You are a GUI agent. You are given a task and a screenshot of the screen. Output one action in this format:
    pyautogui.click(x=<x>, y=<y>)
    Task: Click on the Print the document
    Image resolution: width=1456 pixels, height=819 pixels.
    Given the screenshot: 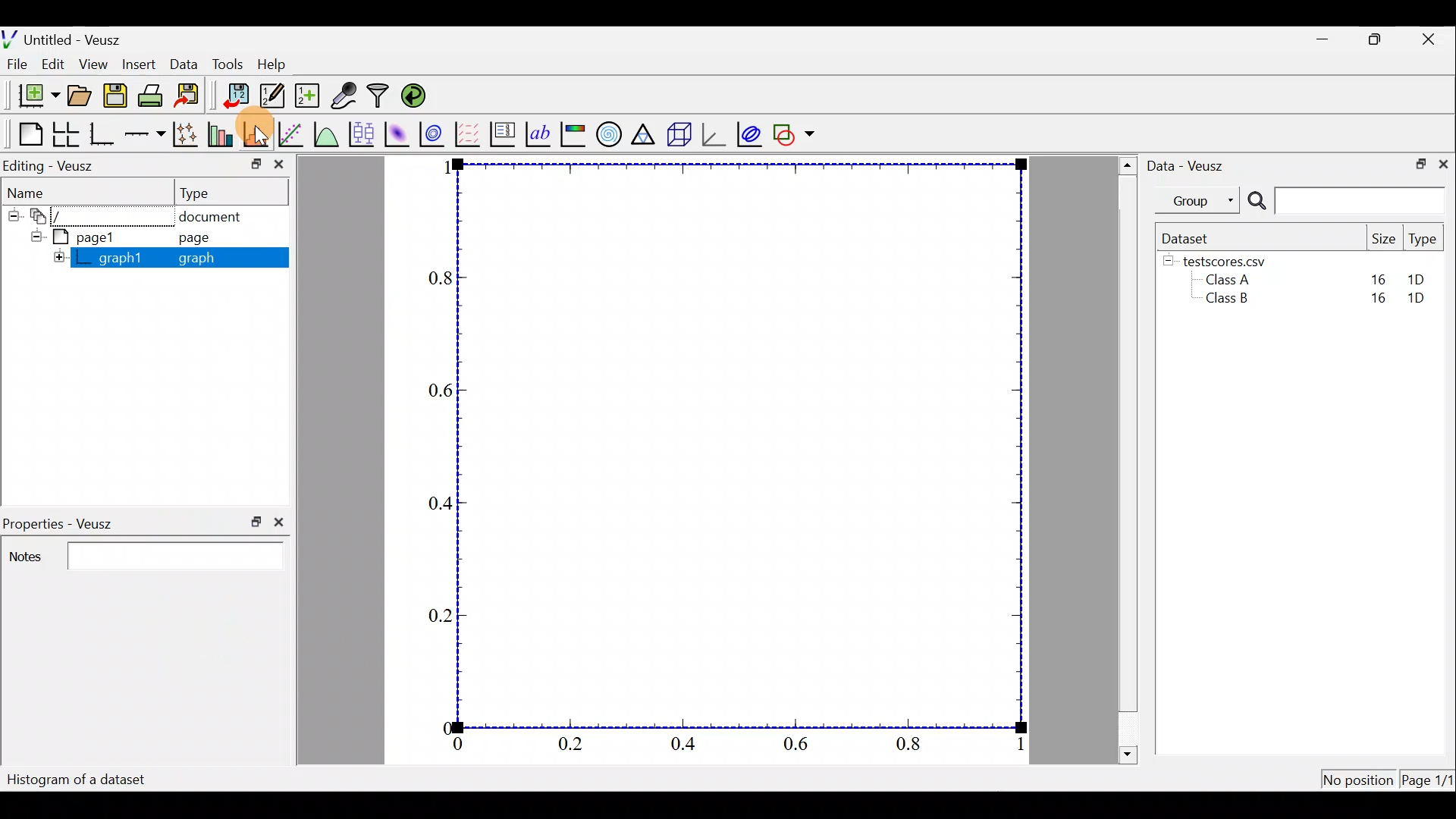 What is the action you would take?
    pyautogui.click(x=151, y=95)
    